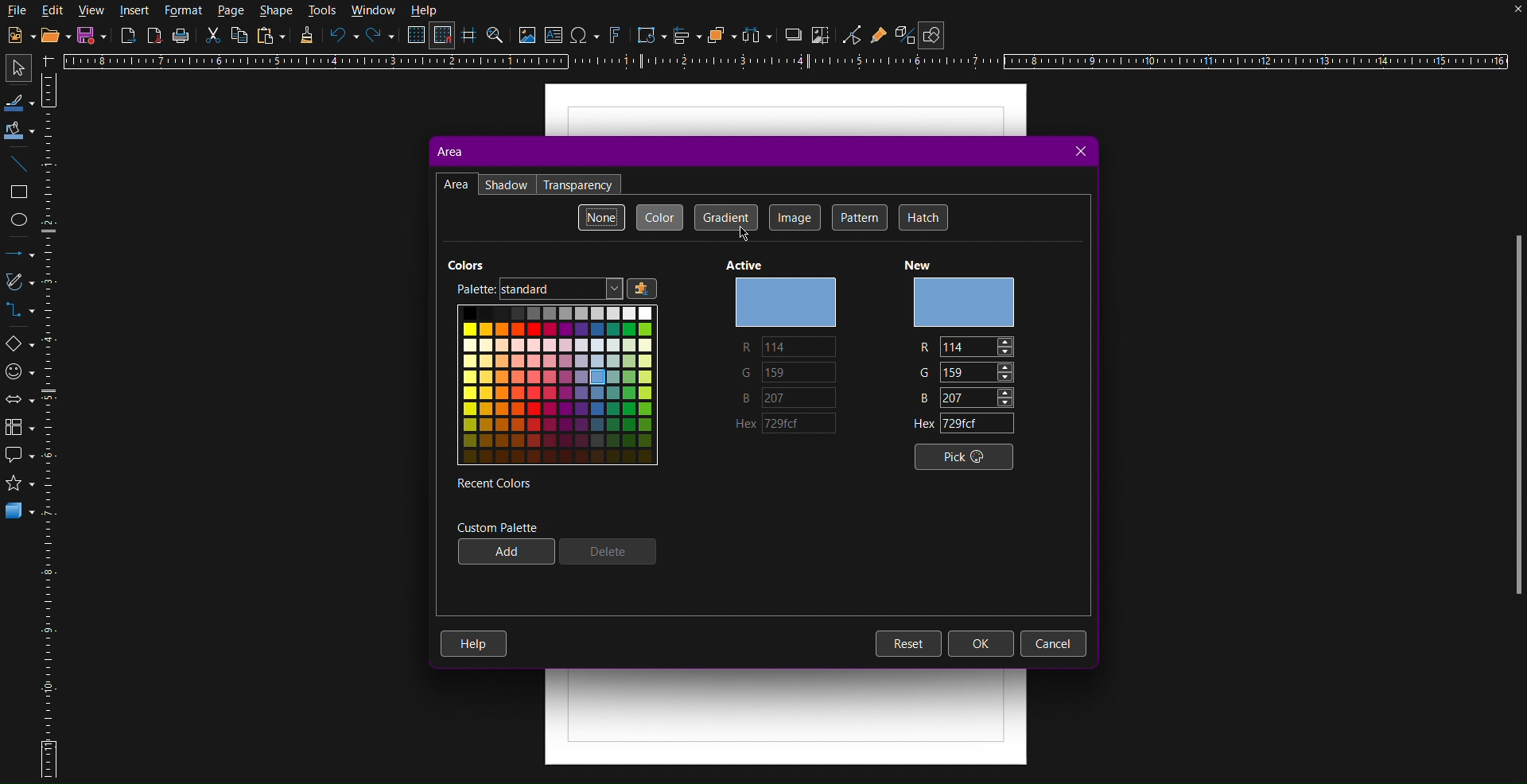 This screenshot has height=784, width=1527. I want to click on new RGB values, so click(968, 372).